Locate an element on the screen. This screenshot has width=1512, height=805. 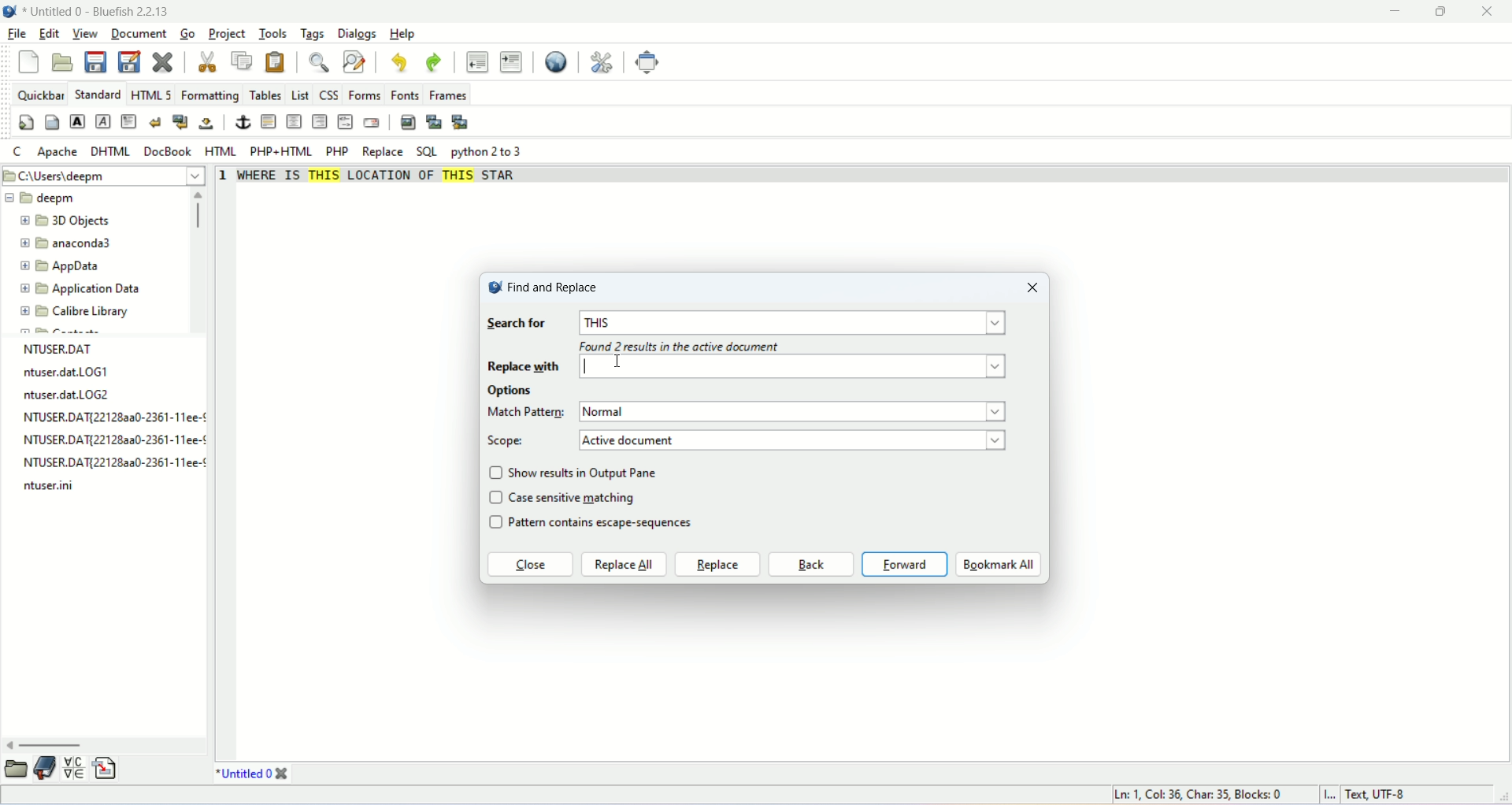
HTML5 is located at coordinates (149, 95).